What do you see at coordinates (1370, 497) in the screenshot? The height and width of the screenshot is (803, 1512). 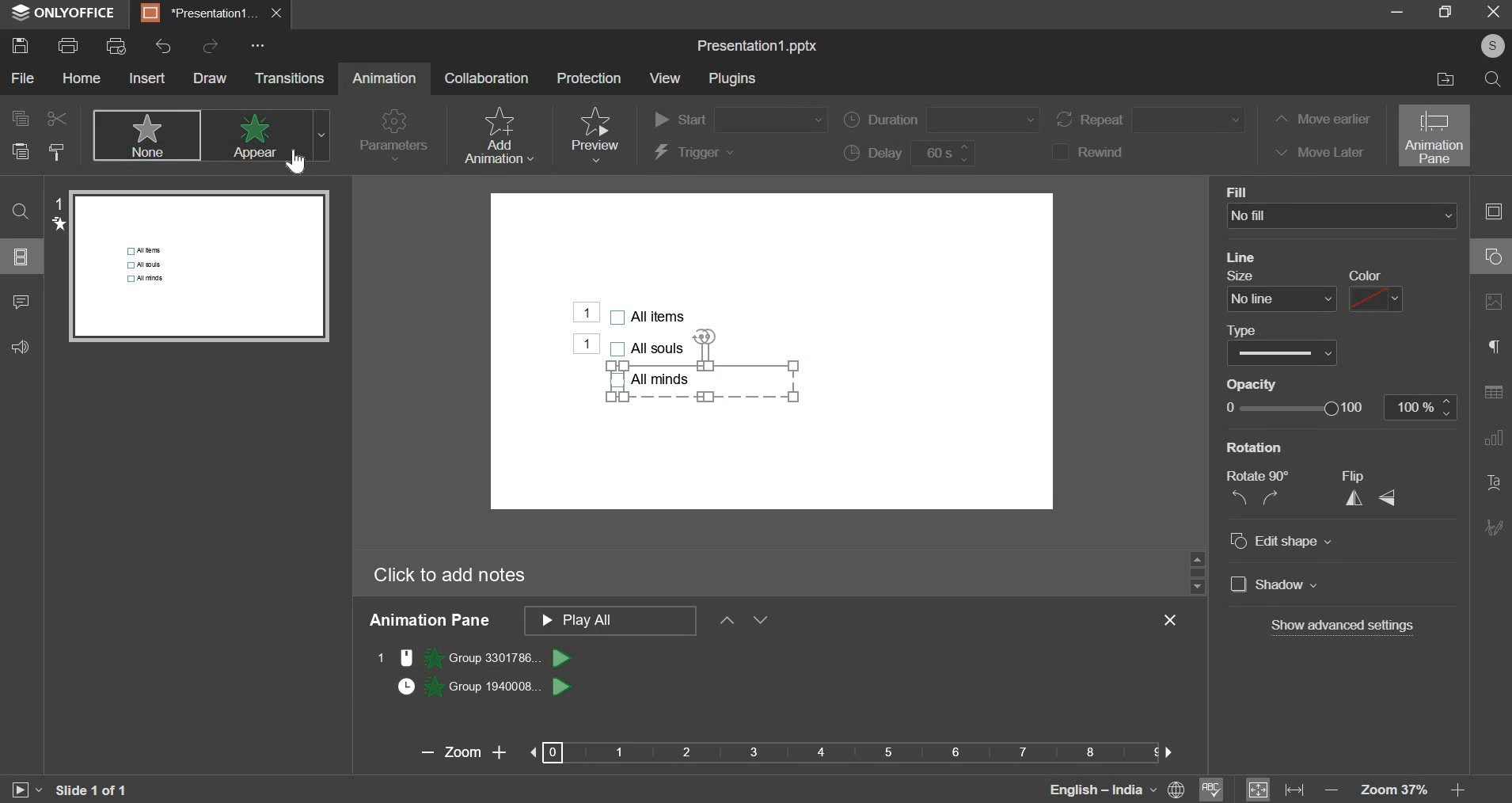 I see `flip` at bounding box center [1370, 497].